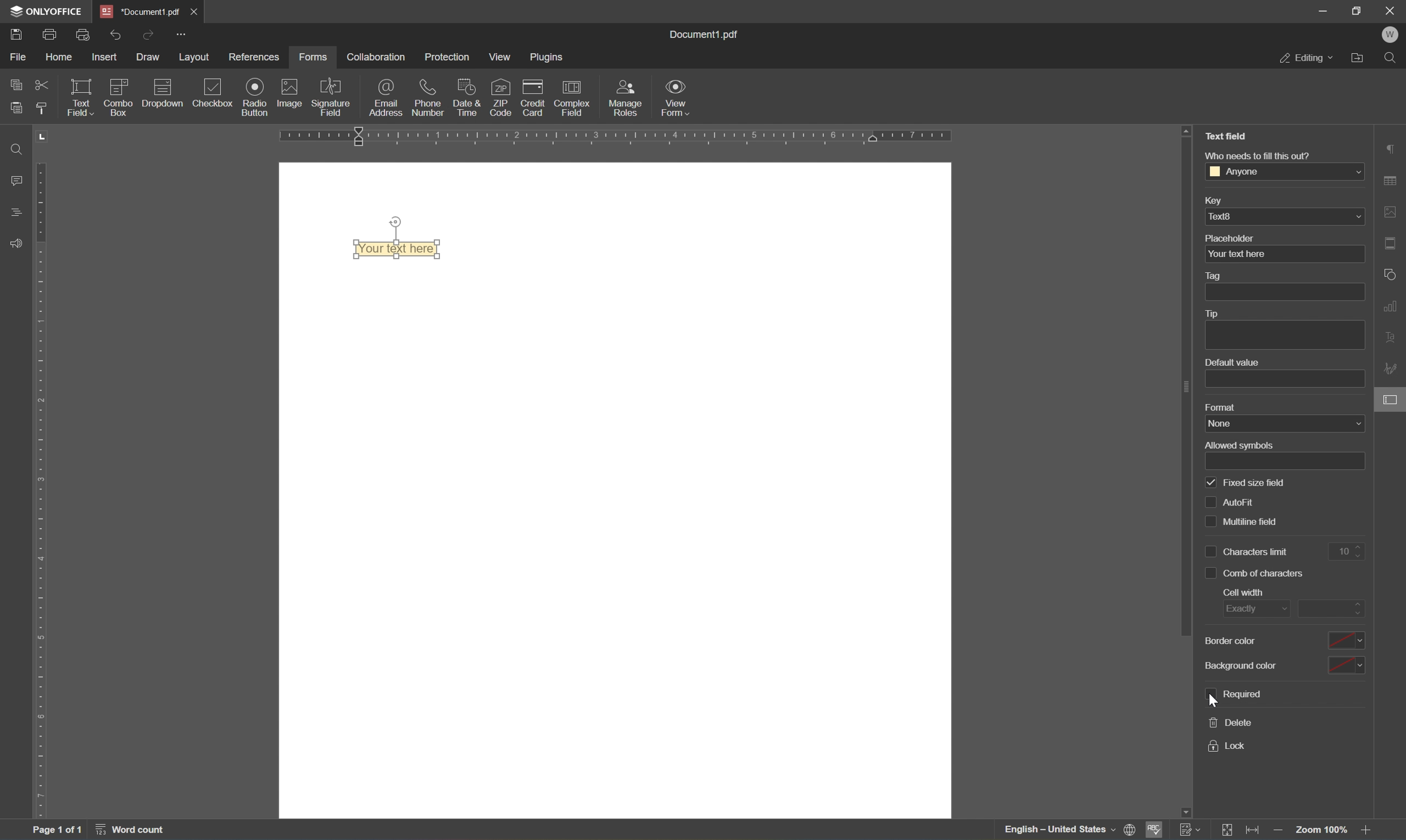 Image resolution: width=1406 pixels, height=840 pixels. Describe the element at coordinates (572, 100) in the screenshot. I see `complex fields` at that location.